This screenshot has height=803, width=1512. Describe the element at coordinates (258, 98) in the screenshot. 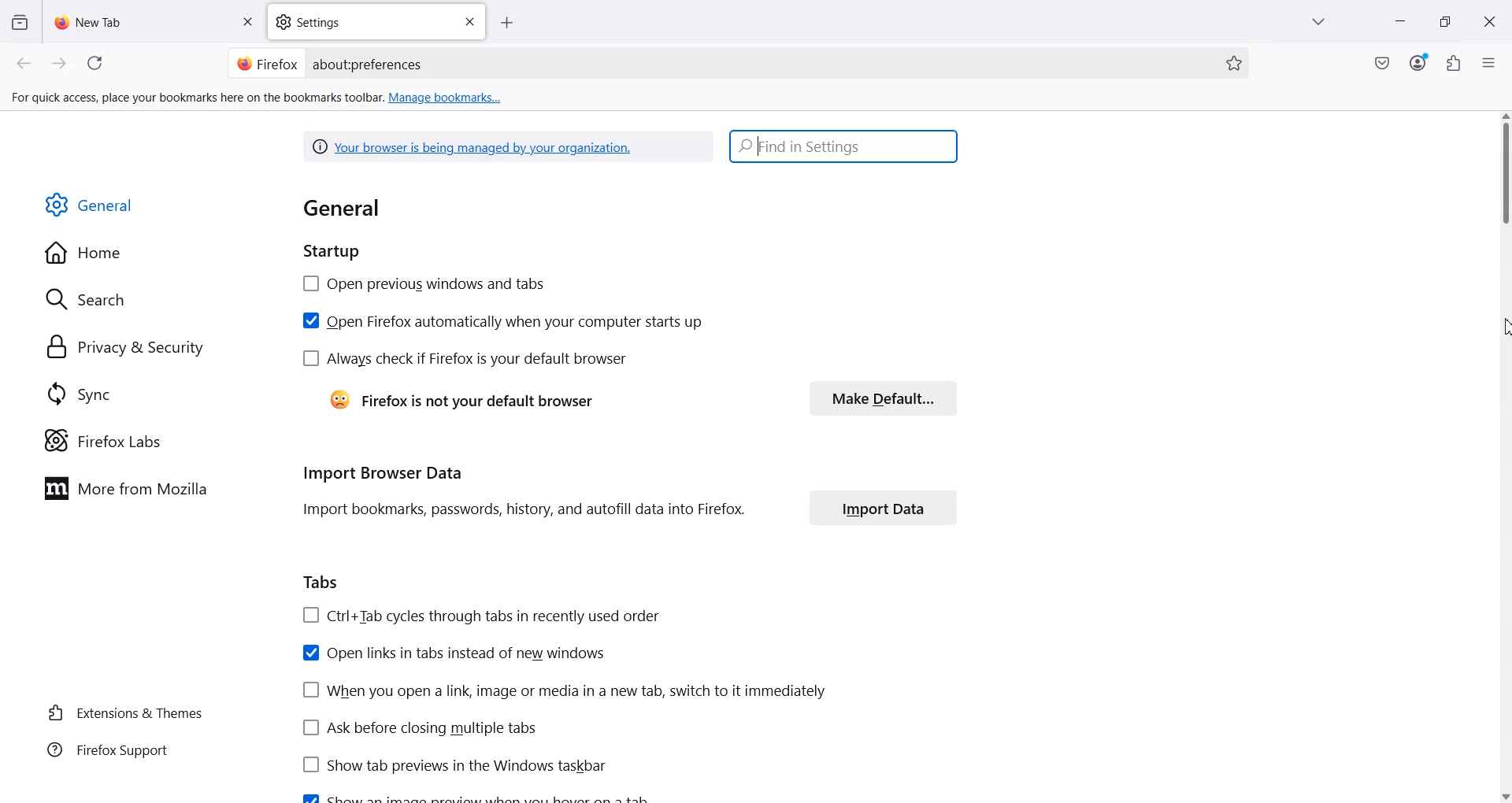

I see `For quick access, place your bookmarks here on the bookmarks toolbar. Manage bookmarks...` at that location.